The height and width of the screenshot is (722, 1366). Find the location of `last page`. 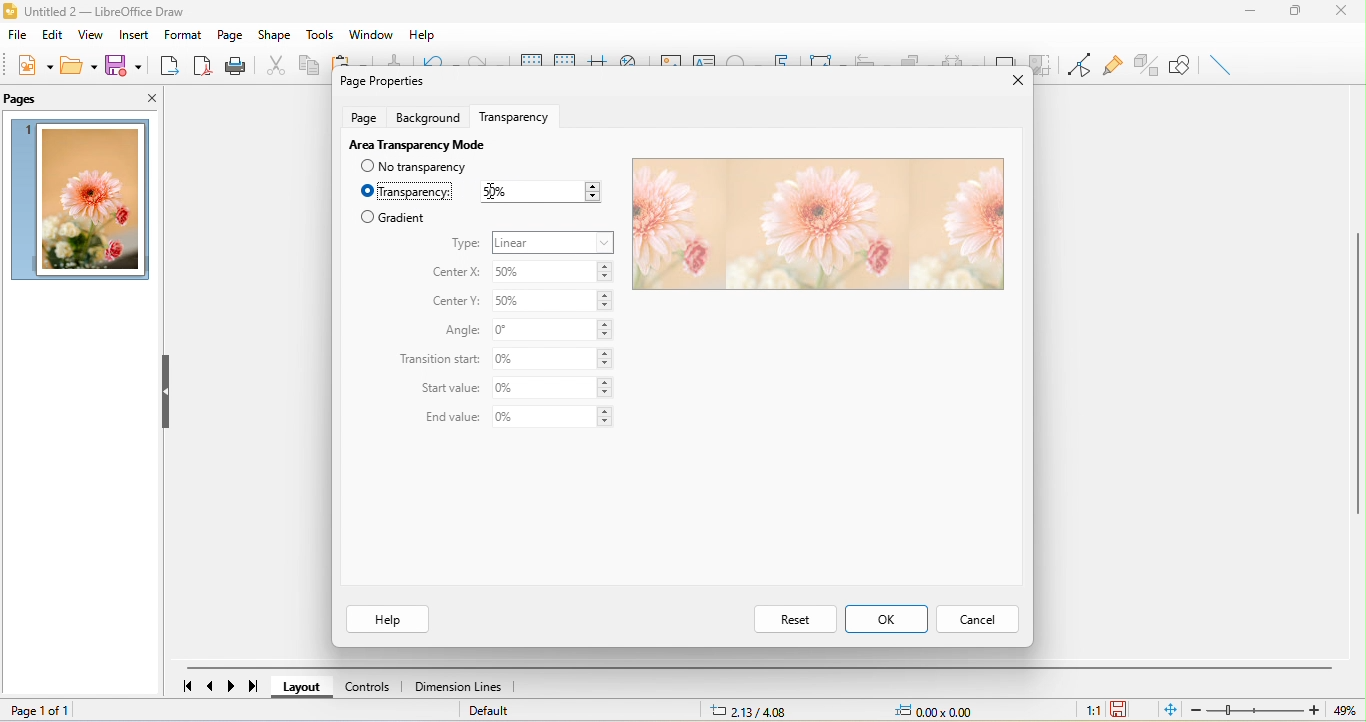

last page is located at coordinates (249, 686).